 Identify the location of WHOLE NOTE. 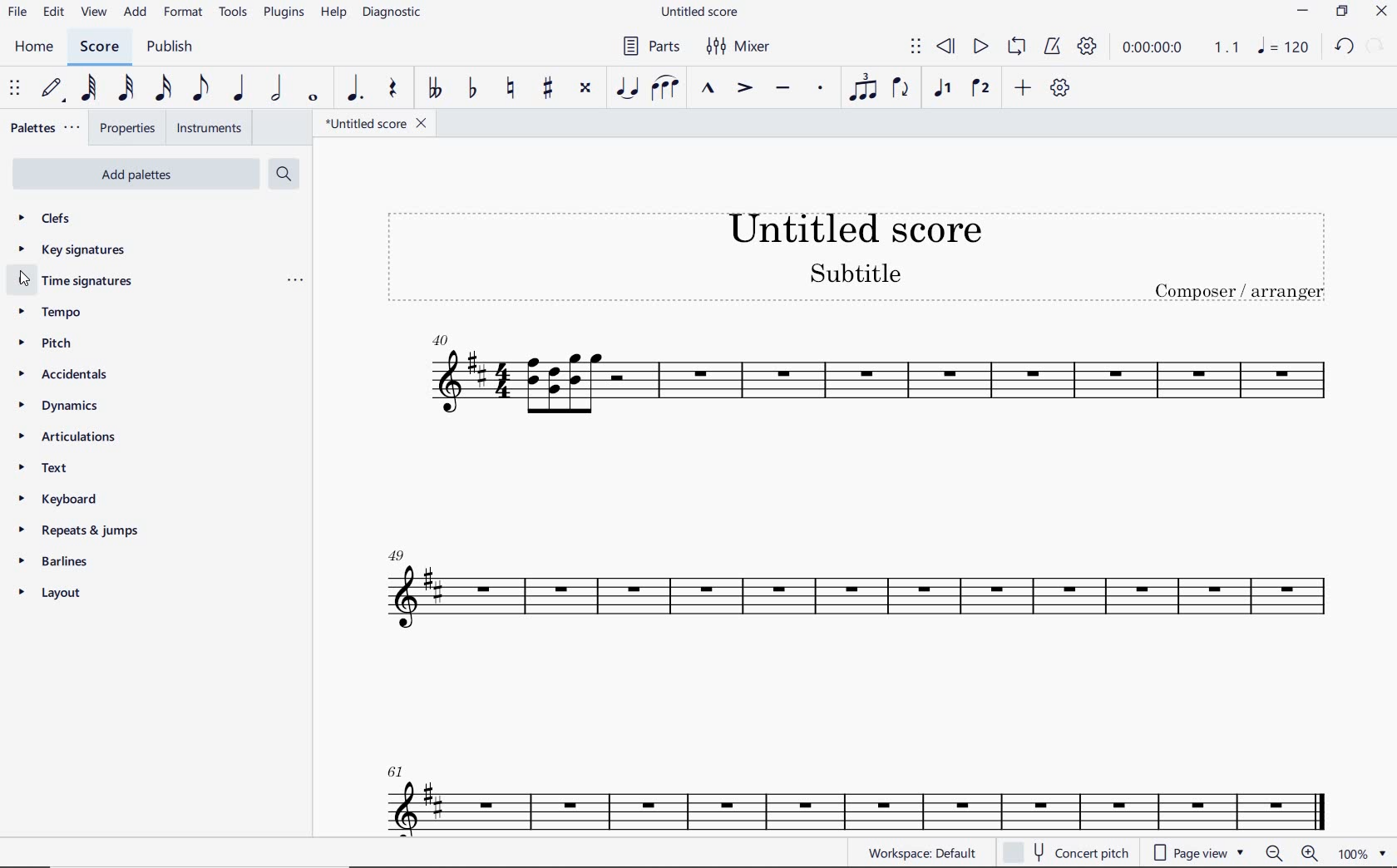
(313, 100).